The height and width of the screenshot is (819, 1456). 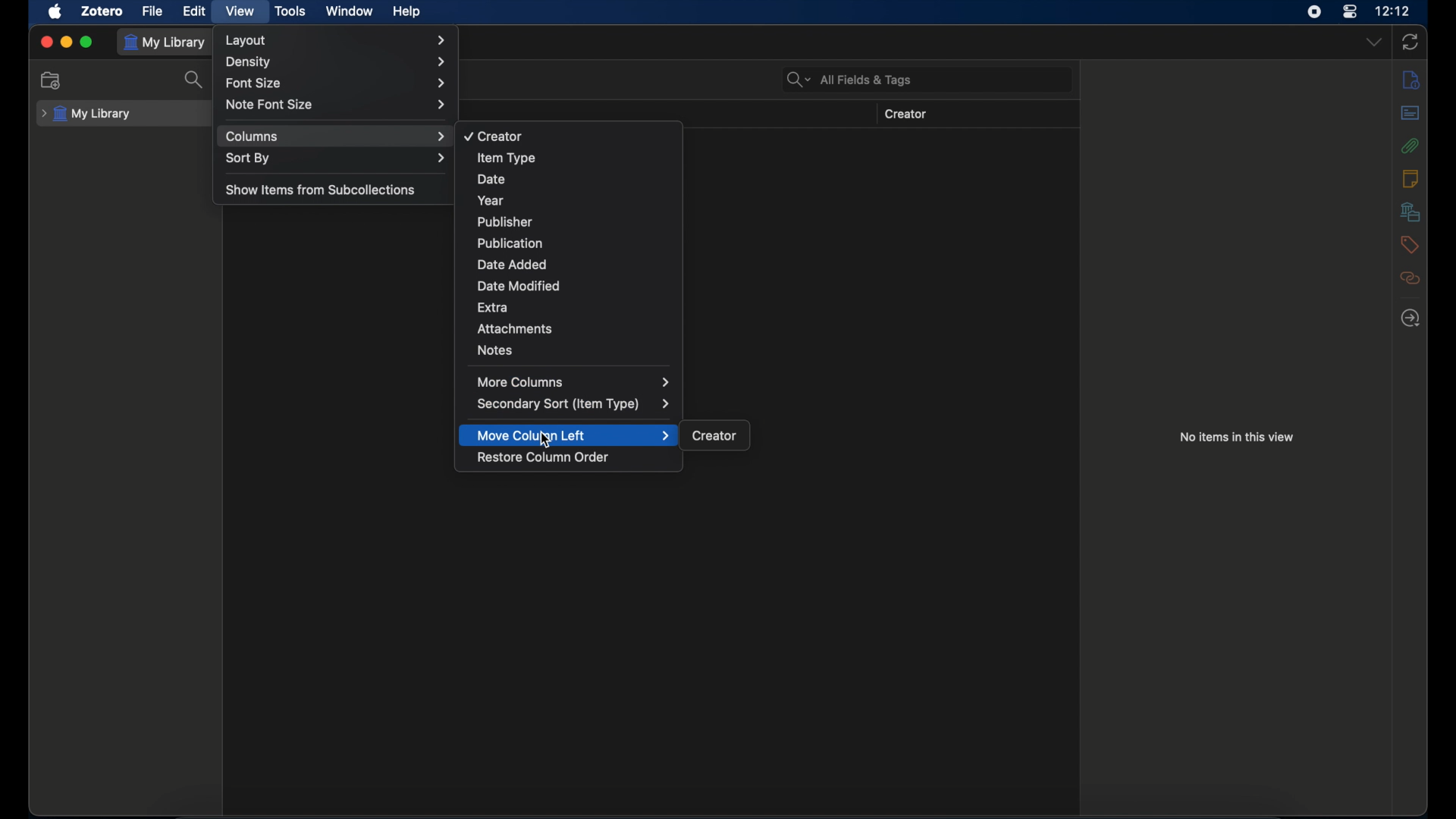 What do you see at coordinates (194, 80) in the screenshot?
I see `search` at bounding box center [194, 80].